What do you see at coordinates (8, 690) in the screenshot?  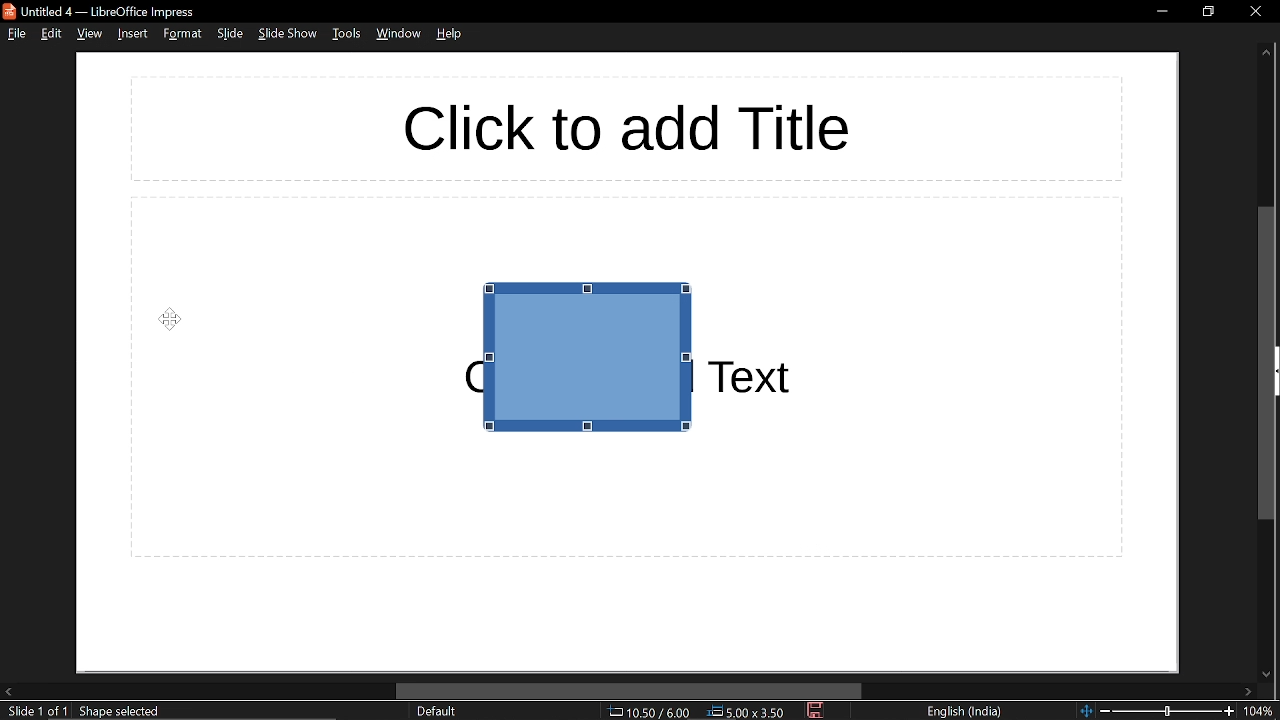 I see `move left` at bounding box center [8, 690].